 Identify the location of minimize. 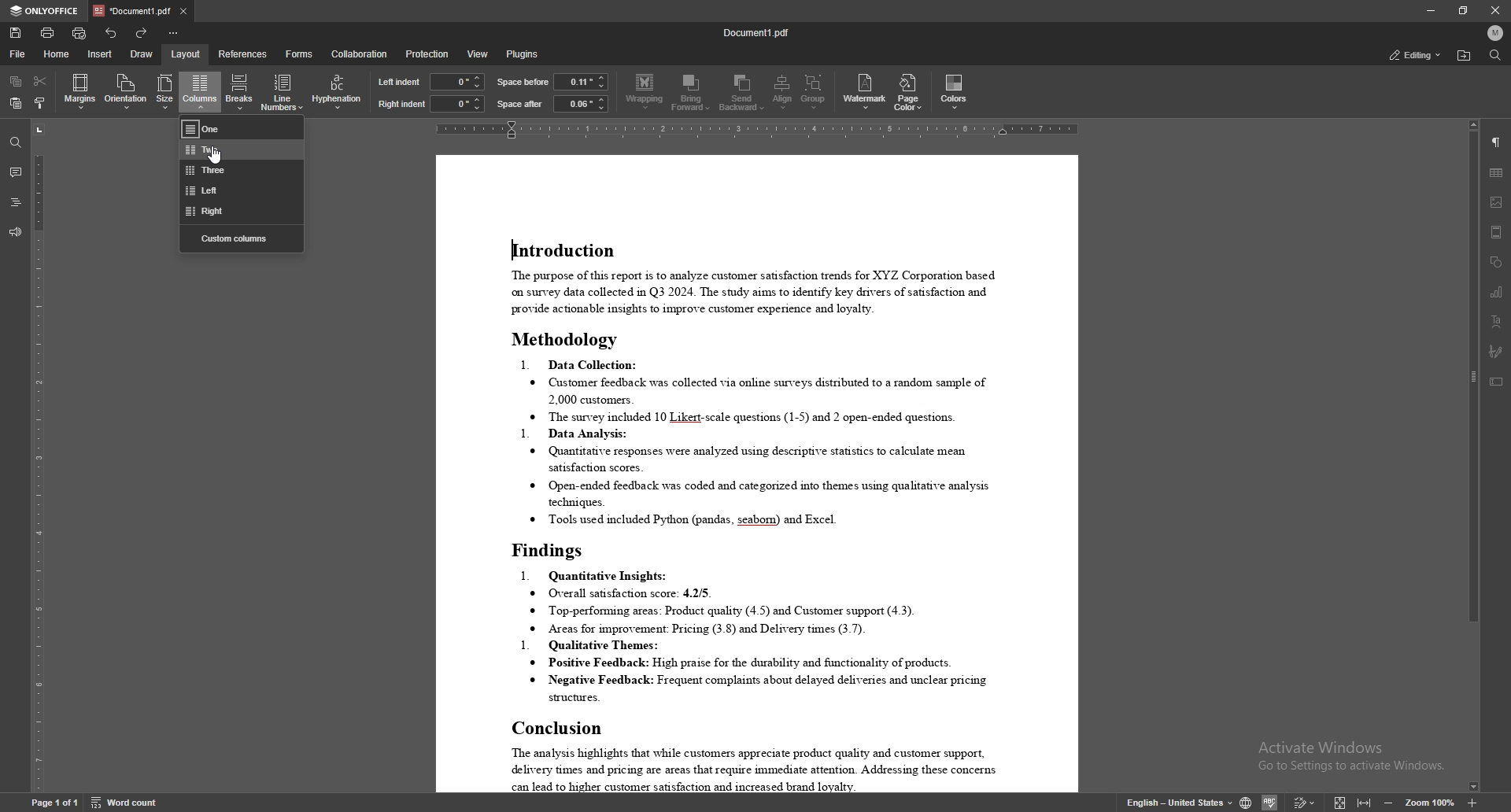
(1431, 10).